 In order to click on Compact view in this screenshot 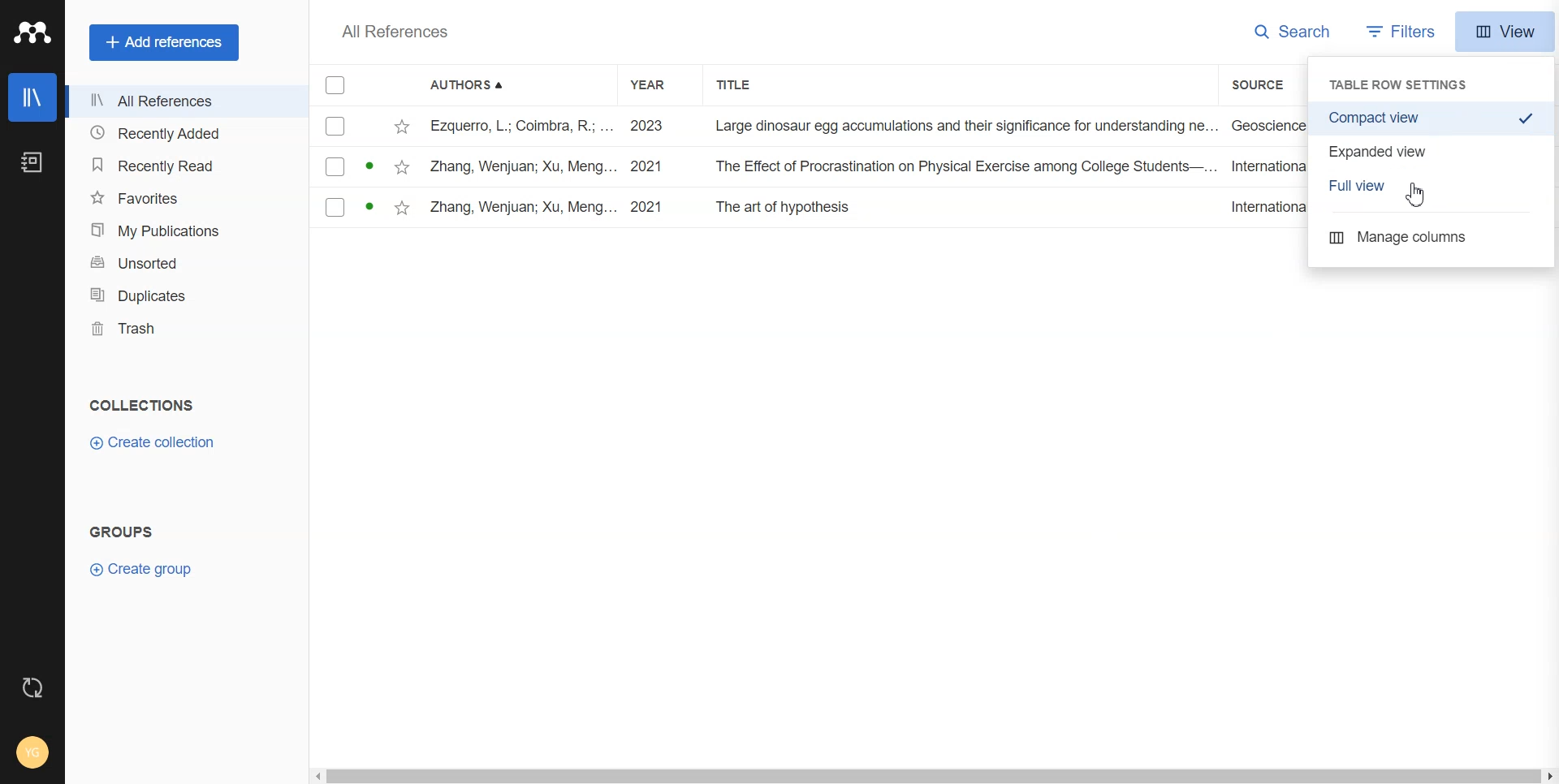, I will do `click(1432, 118)`.